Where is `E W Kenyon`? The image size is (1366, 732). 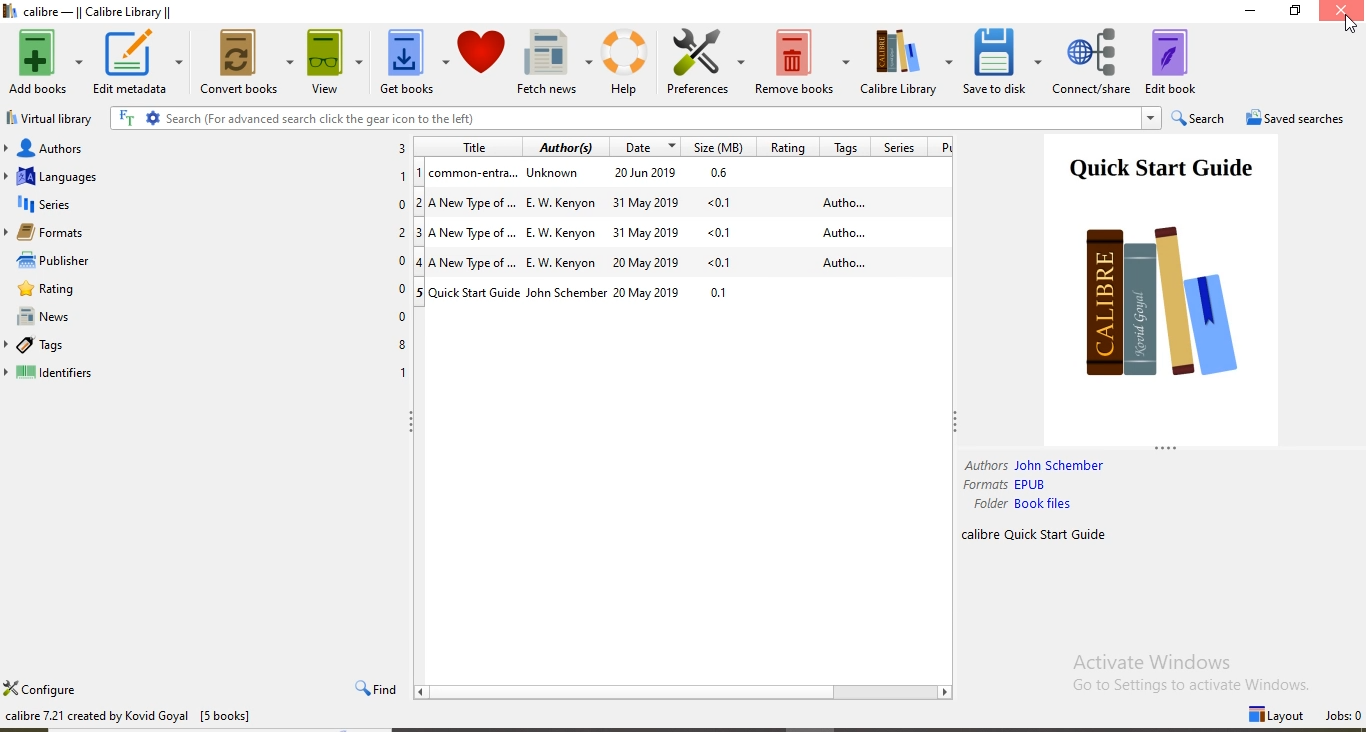
E W Kenyon is located at coordinates (559, 231).